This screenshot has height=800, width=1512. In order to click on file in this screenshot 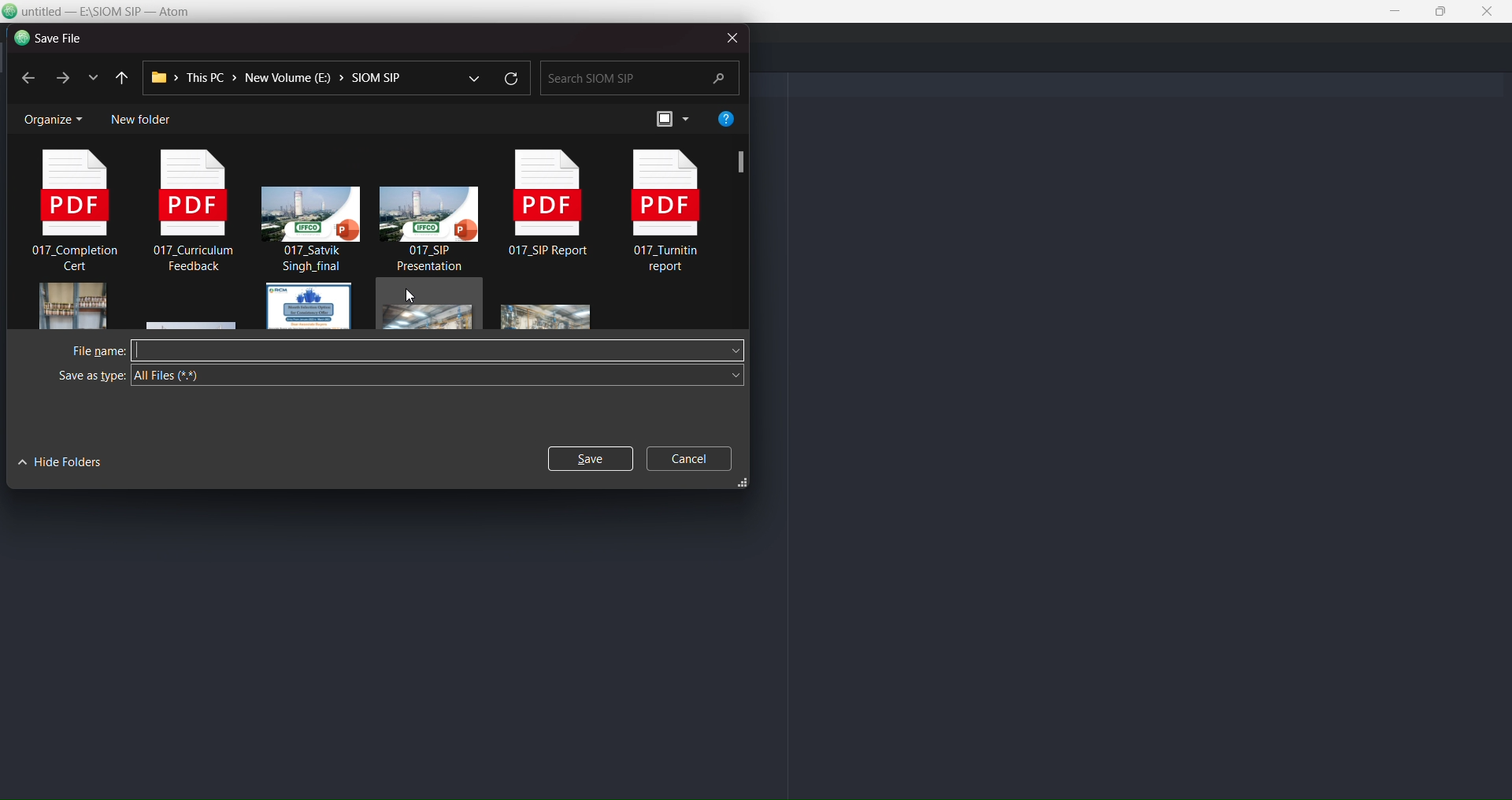, I will do `click(306, 306)`.